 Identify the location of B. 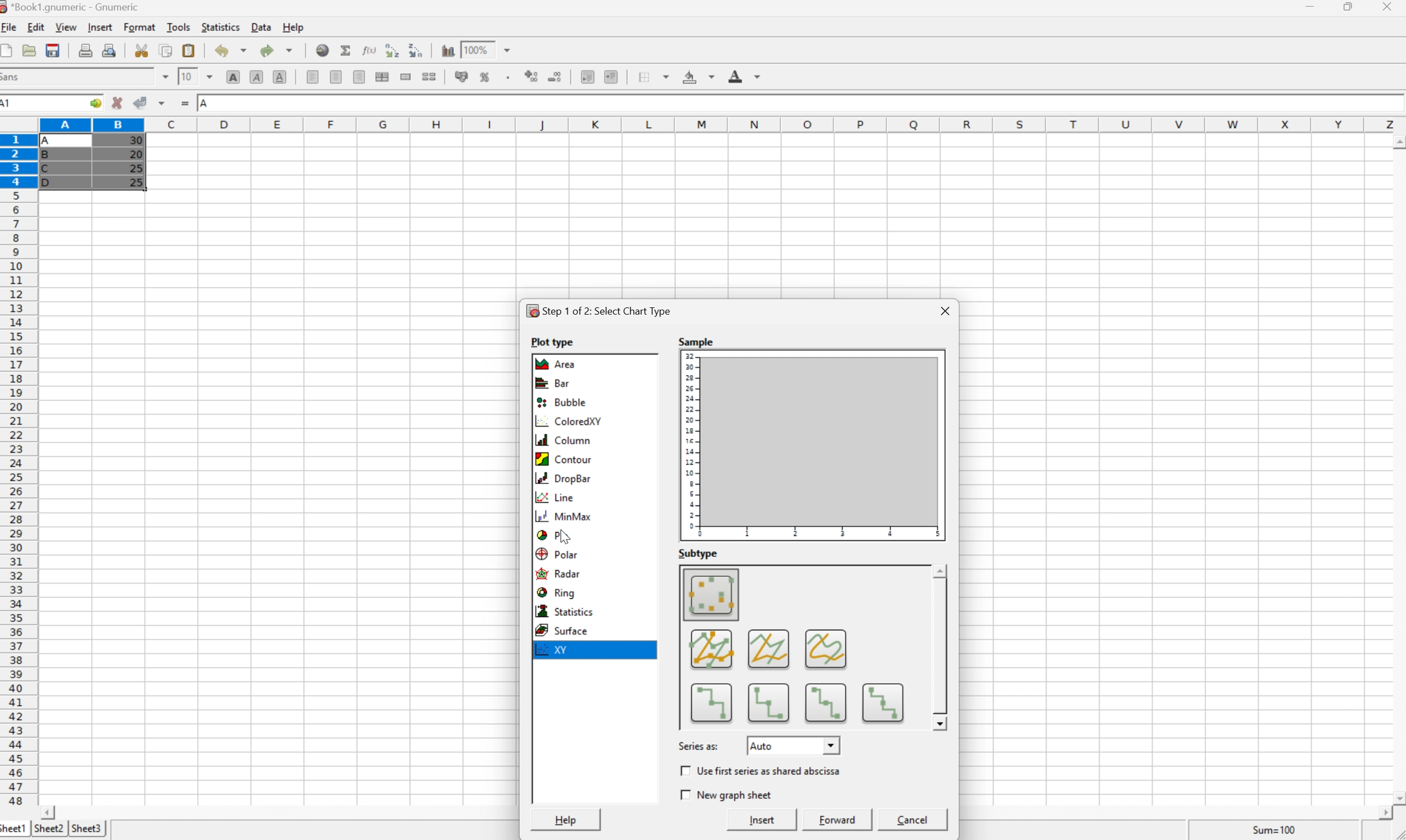
(49, 156).